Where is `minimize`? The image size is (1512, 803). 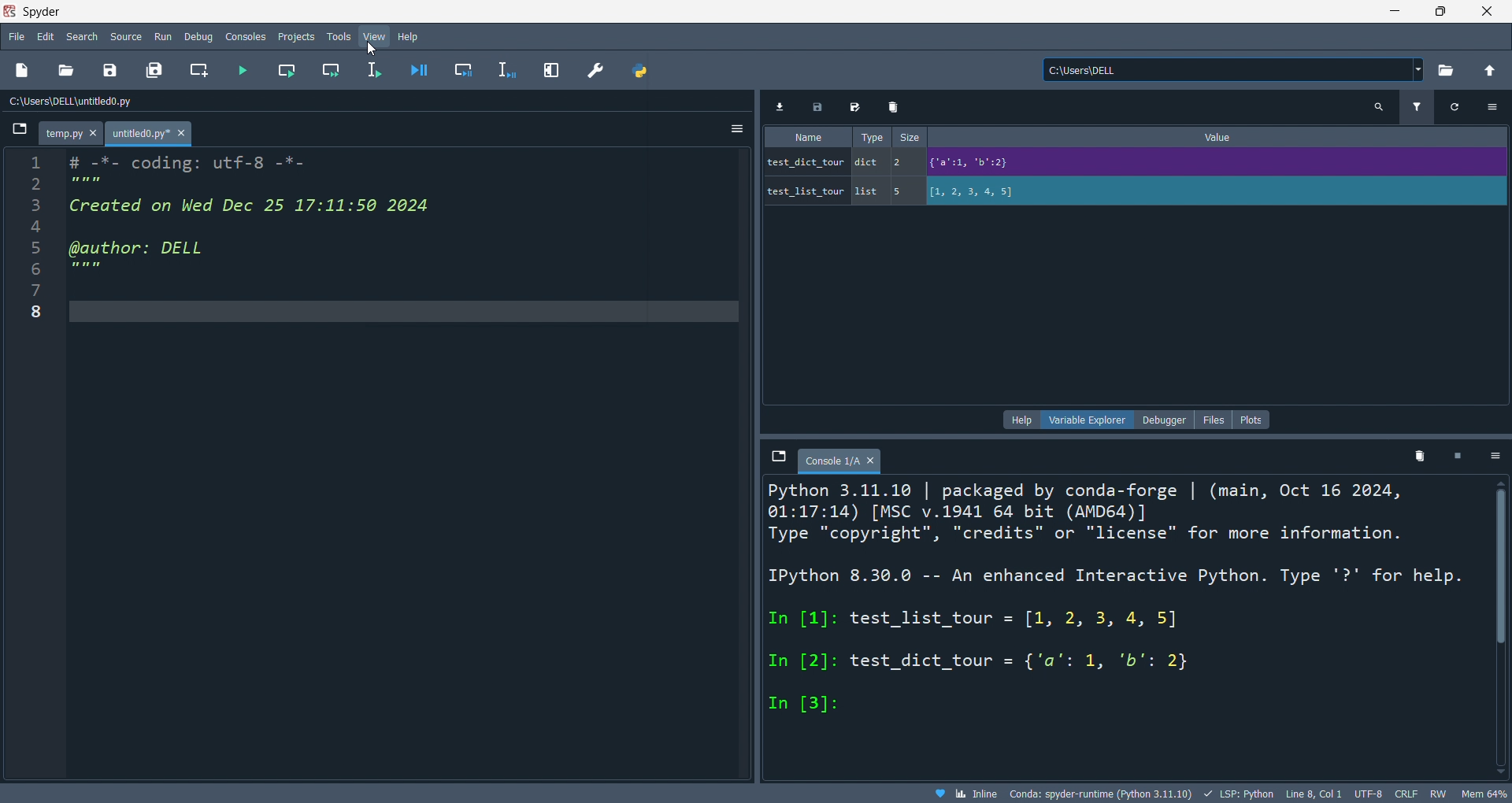 minimize is located at coordinates (1392, 10).